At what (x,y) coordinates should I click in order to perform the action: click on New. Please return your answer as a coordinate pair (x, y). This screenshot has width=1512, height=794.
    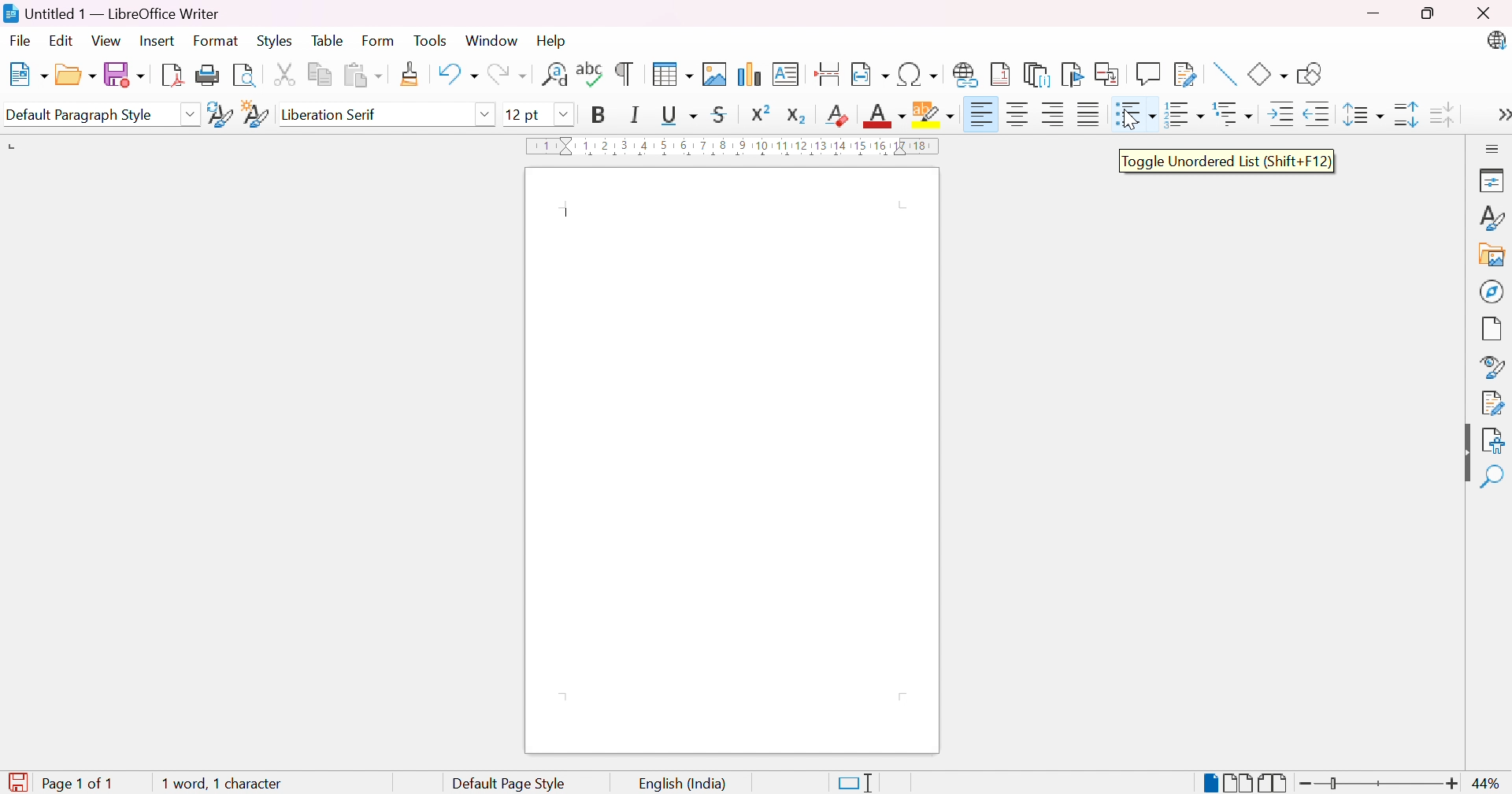
    Looking at the image, I should click on (28, 72).